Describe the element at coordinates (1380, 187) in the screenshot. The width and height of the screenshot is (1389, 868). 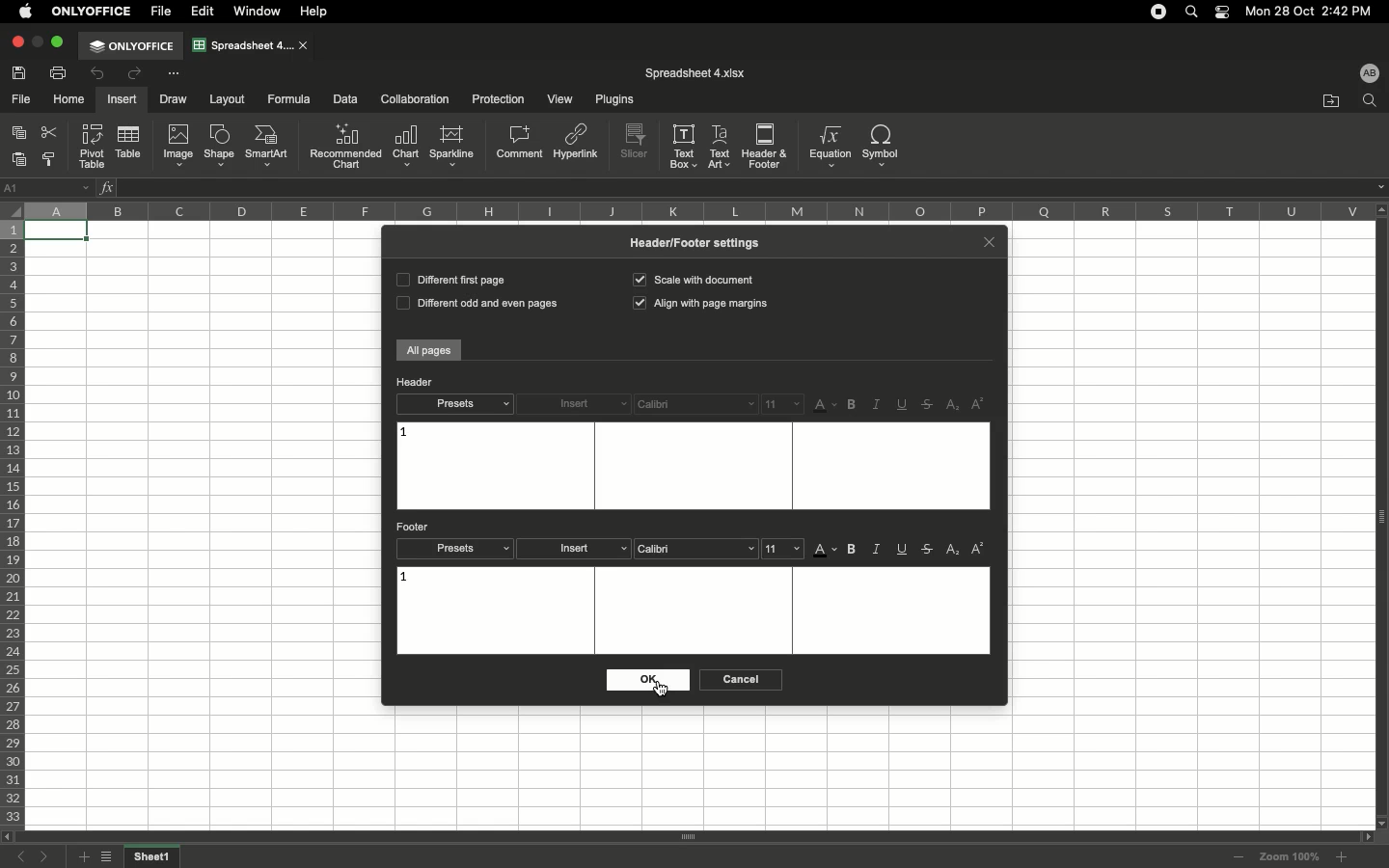
I see `dropdown` at that location.